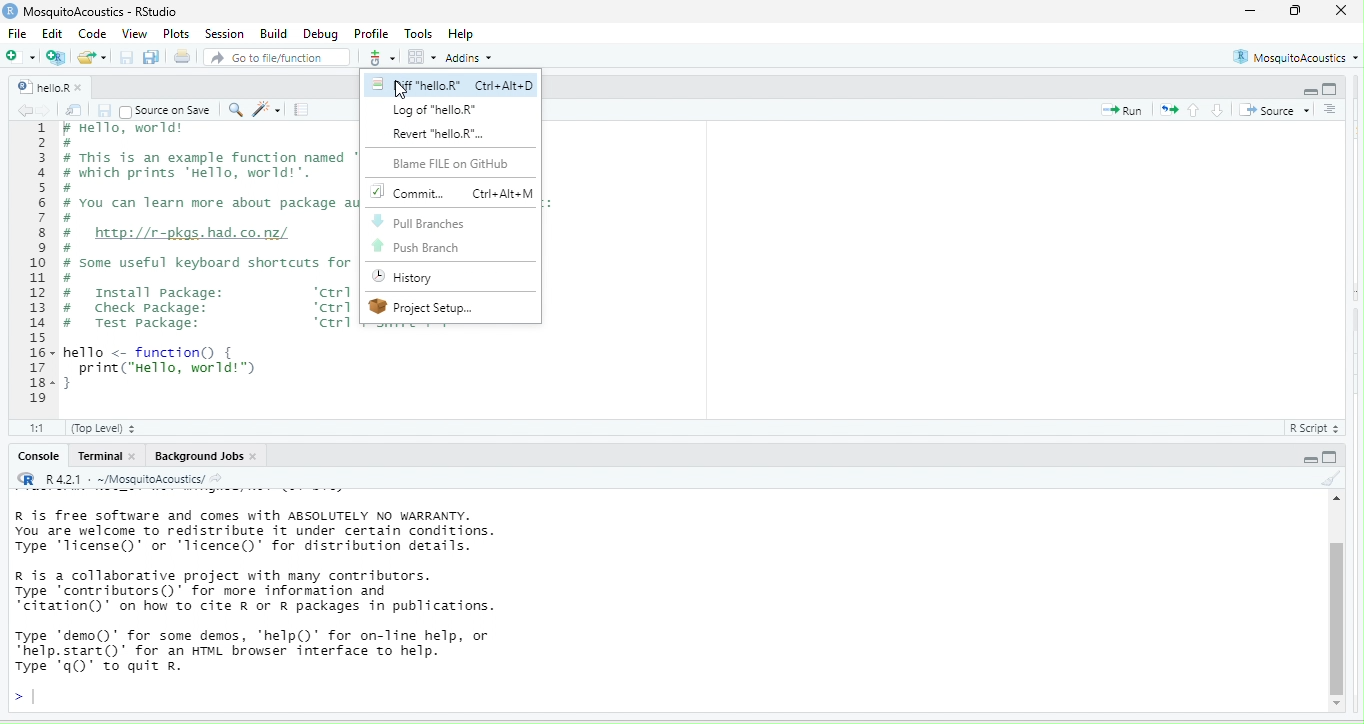 This screenshot has height=724, width=1364. I want to click on new file, so click(21, 56).